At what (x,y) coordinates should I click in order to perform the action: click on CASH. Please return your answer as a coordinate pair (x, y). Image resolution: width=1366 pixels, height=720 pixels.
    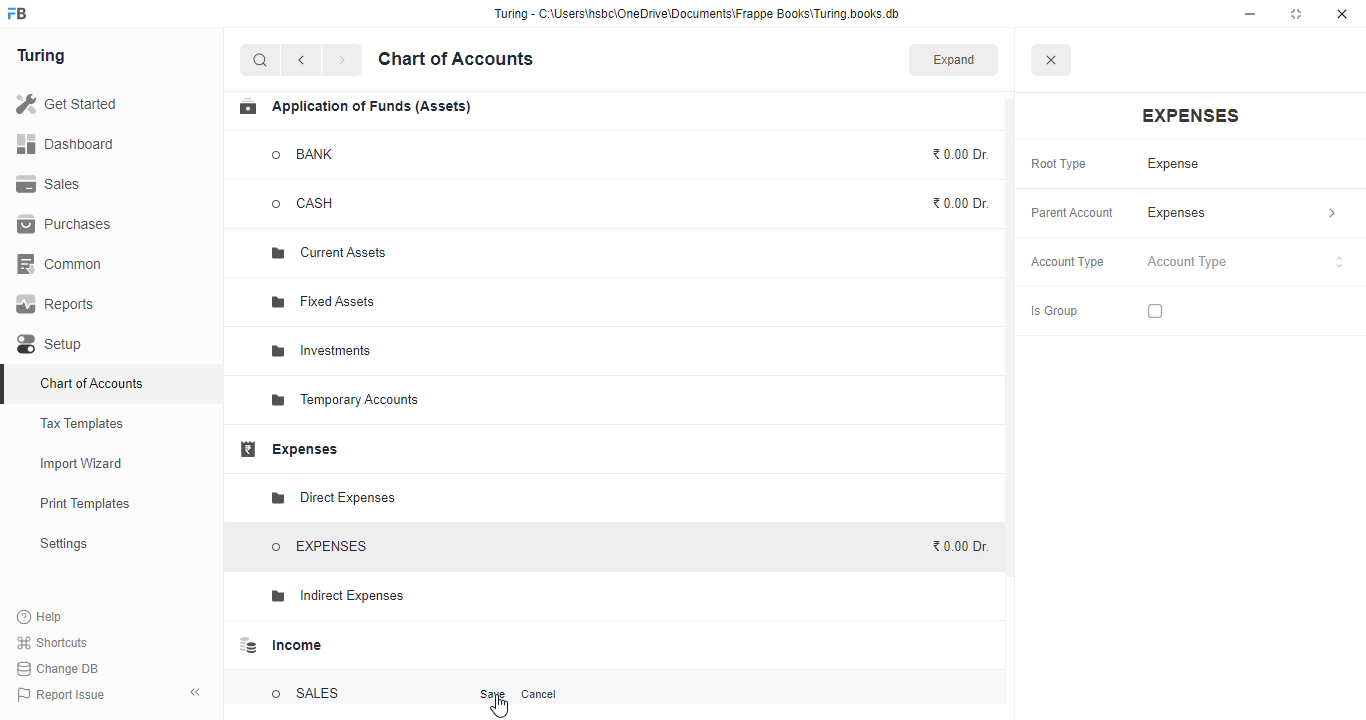
    Looking at the image, I should click on (322, 204).